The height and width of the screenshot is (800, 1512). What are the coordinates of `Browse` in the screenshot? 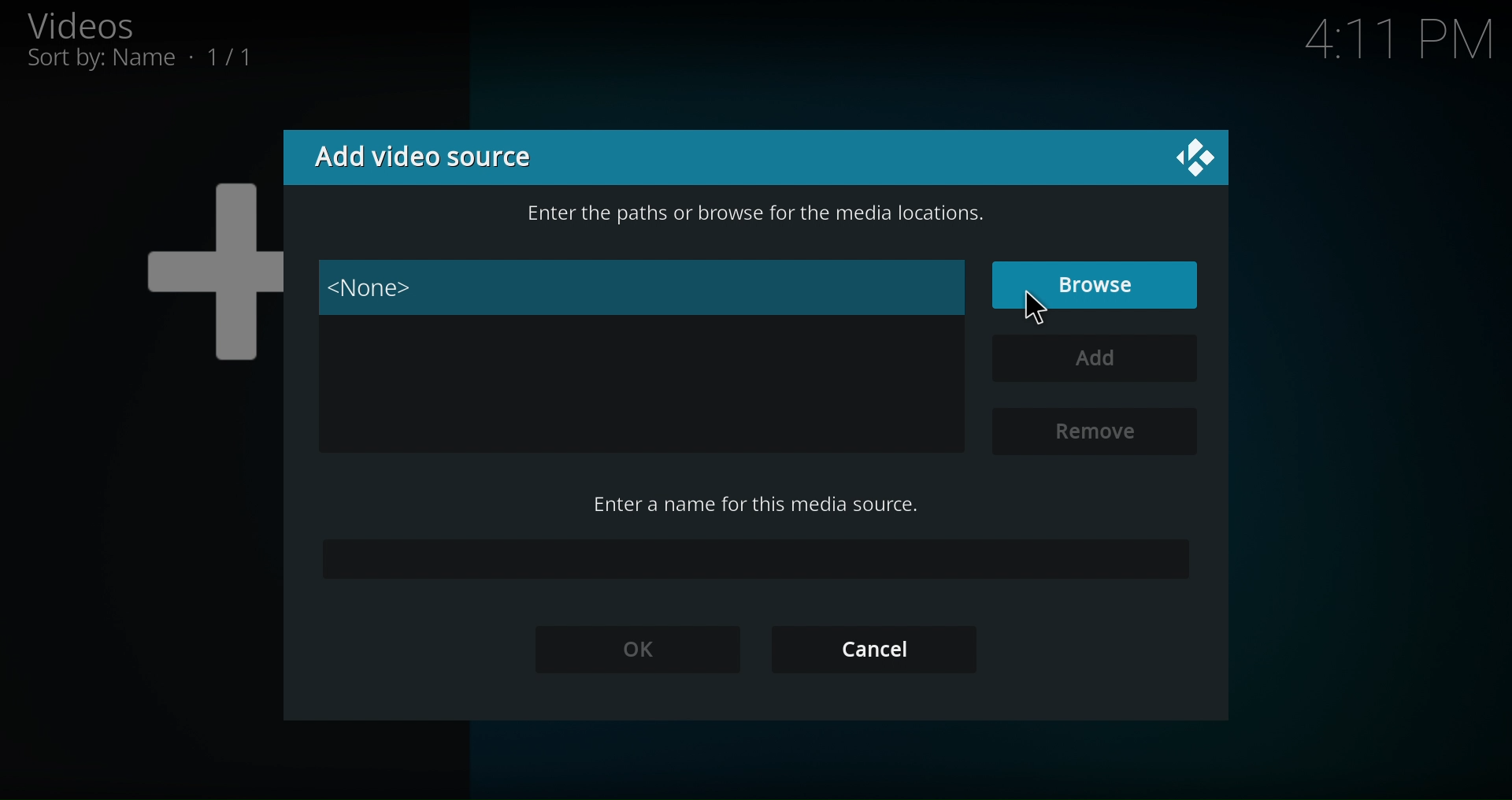 It's located at (1095, 284).